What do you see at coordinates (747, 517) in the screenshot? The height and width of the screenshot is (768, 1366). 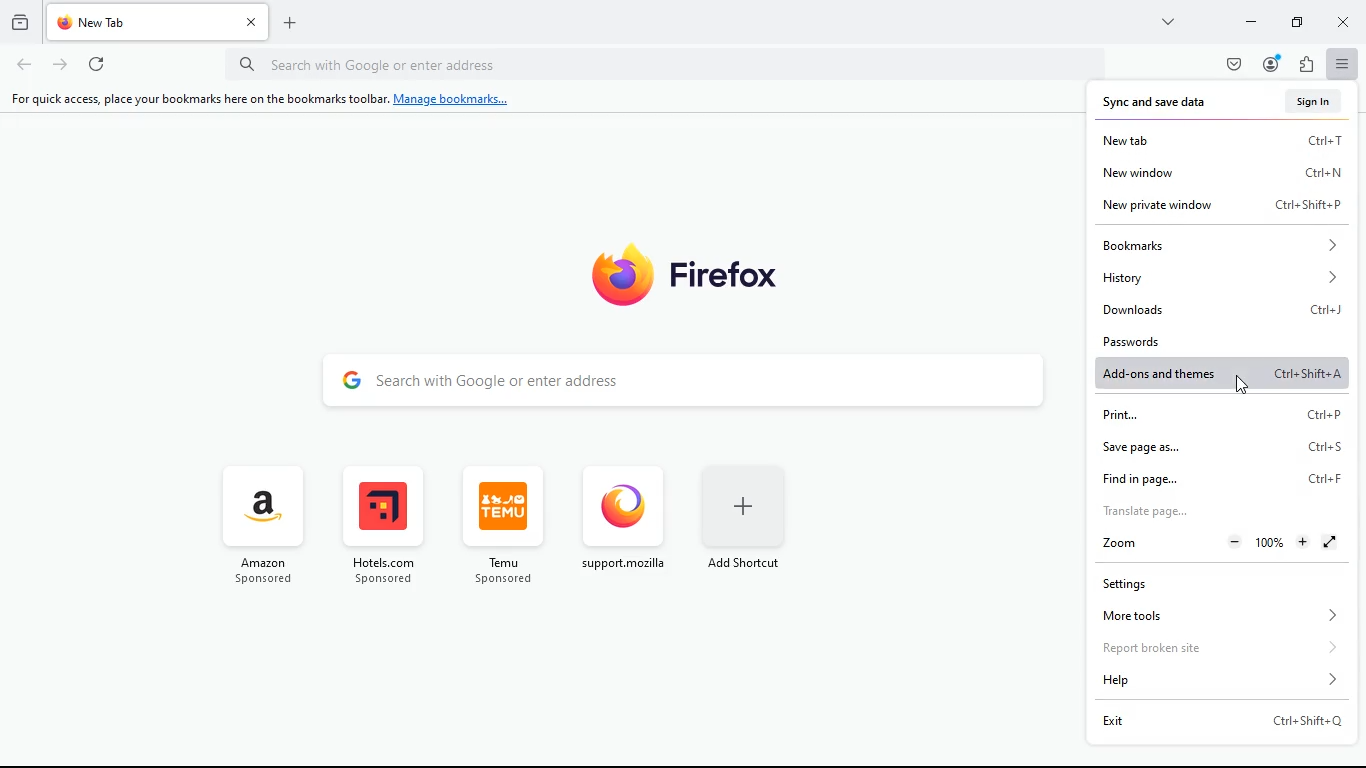 I see `add shortcut` at bounding box center [747, 517].